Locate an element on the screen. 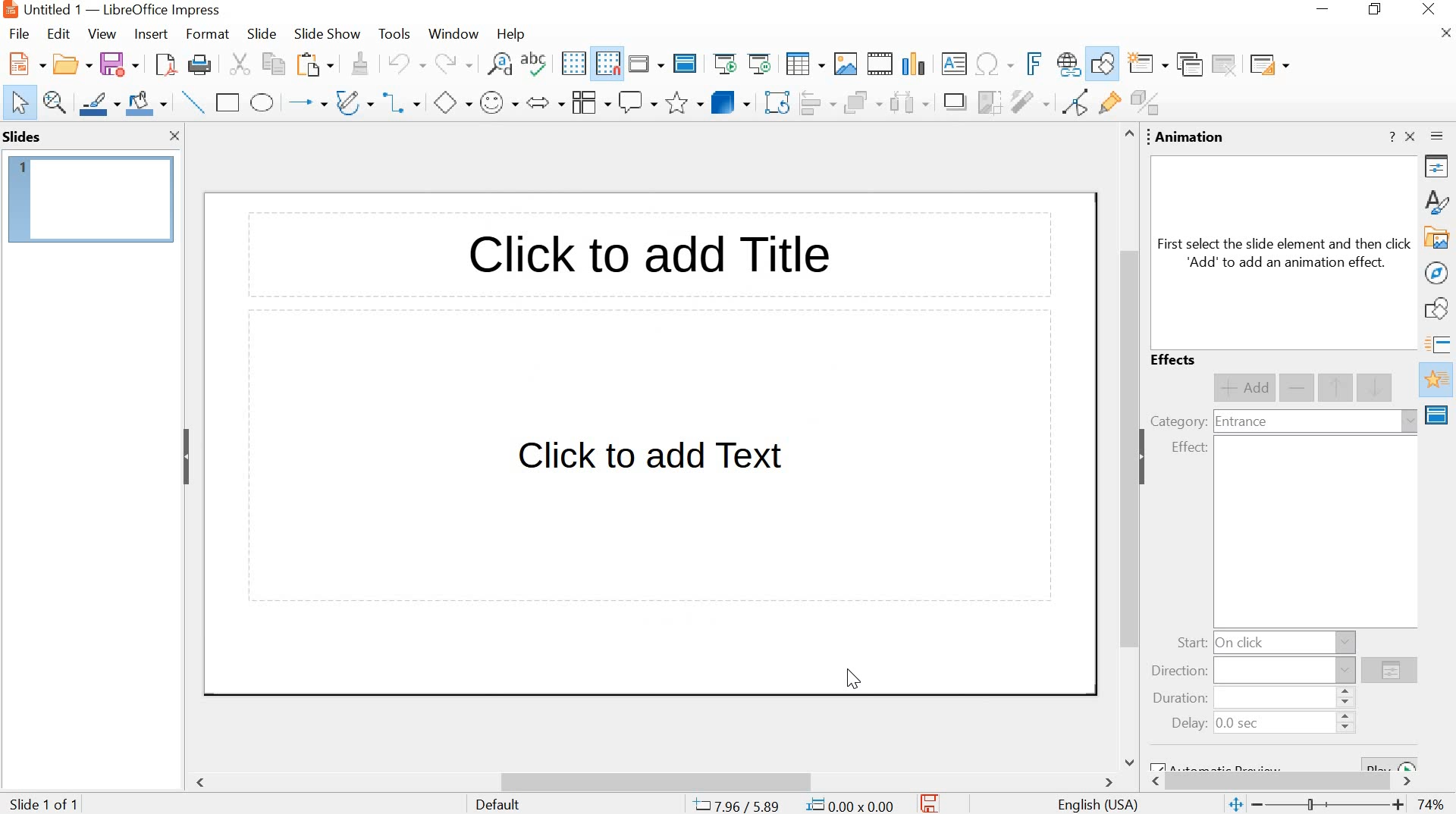  scroll bar is located at coordinates (657, 782).